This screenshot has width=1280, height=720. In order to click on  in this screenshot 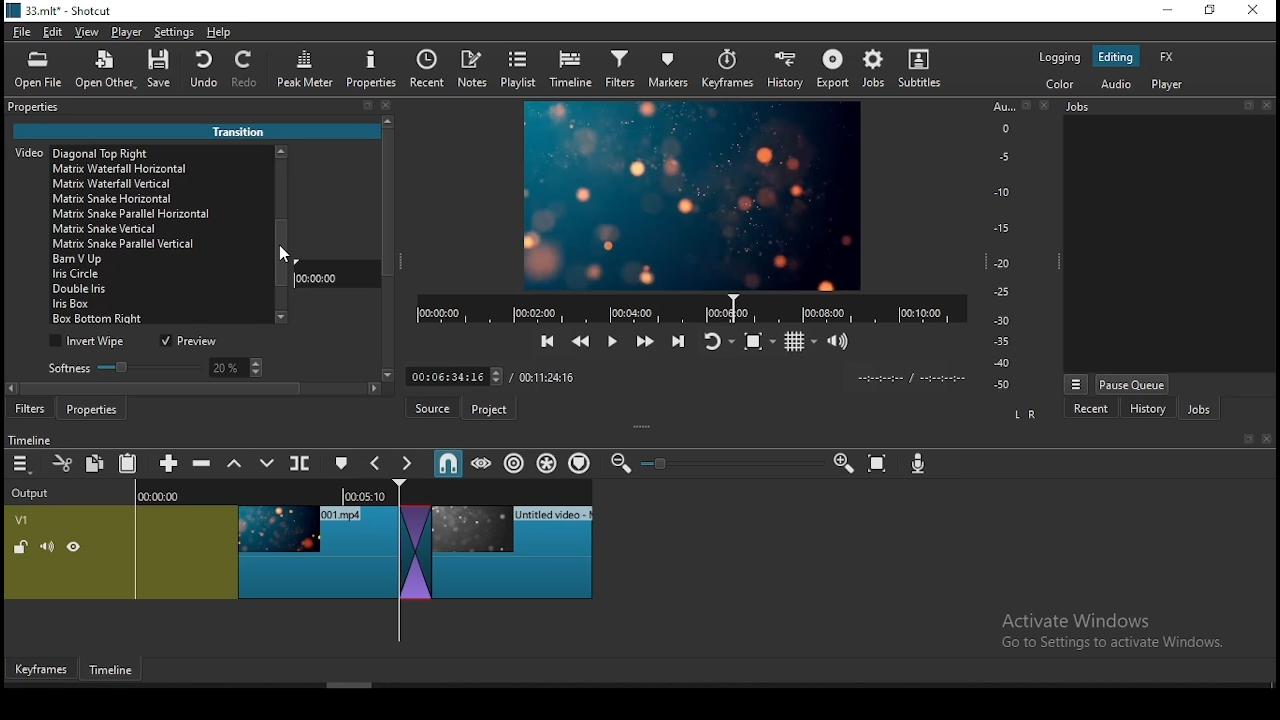, I will do `click(921, 466)`.